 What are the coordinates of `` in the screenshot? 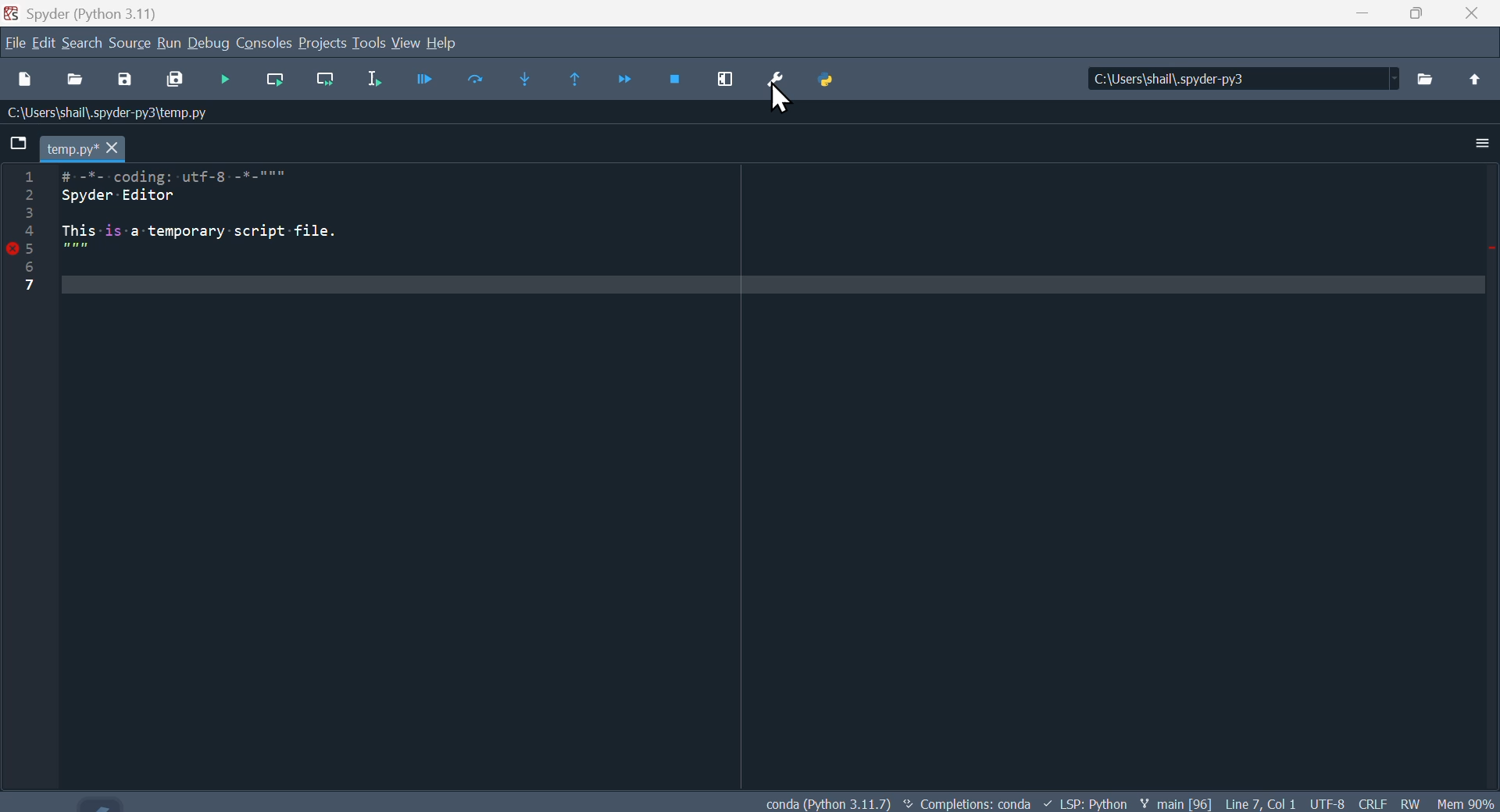 It's located at (168, 42).